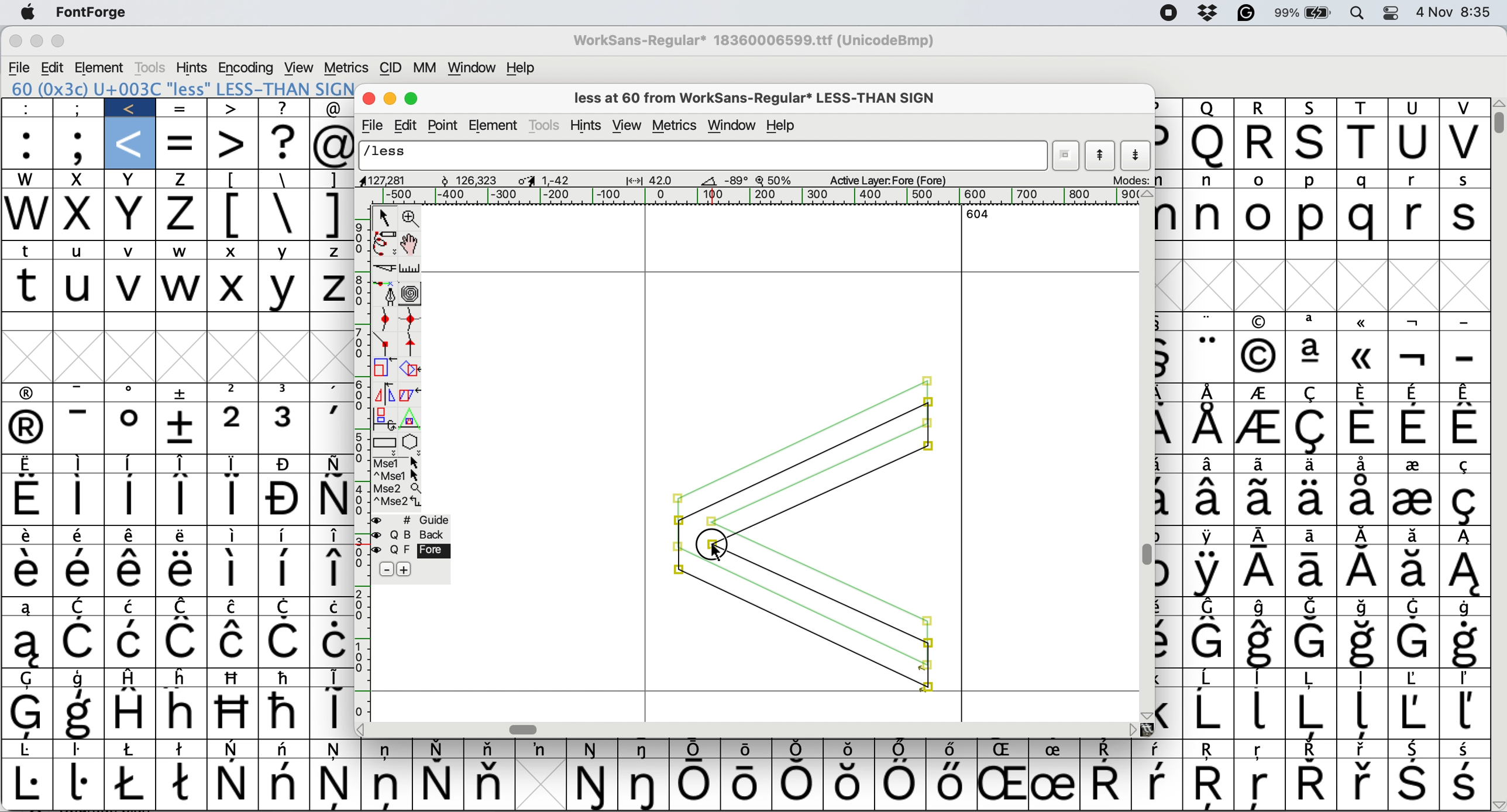 This screenshot has height=812, width=1507. I want to click on dropbox, so click(1209, 13).